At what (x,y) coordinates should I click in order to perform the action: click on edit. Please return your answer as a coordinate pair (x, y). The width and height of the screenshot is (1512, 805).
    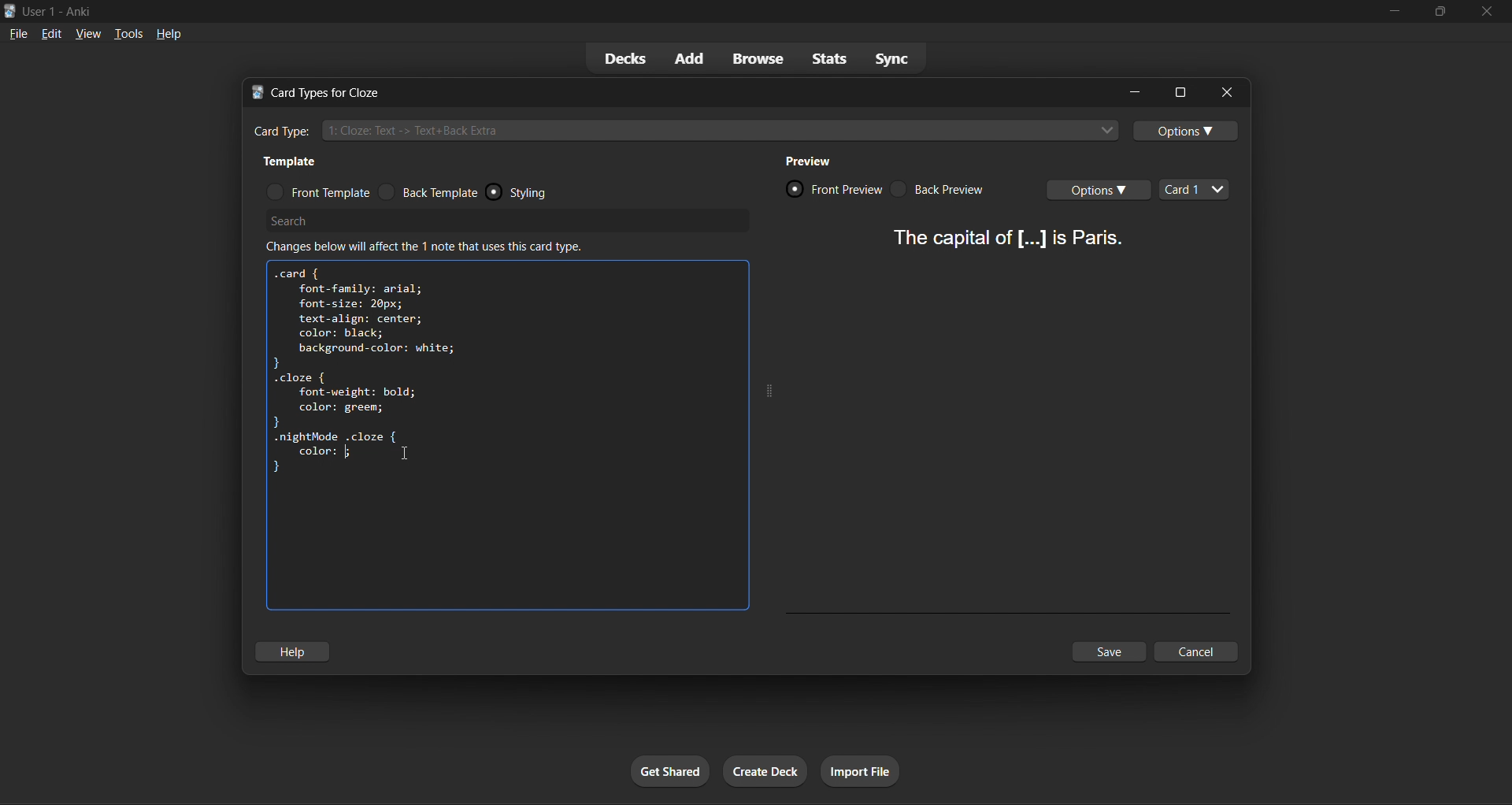
    Looking at the image, I should click on (51, 33).